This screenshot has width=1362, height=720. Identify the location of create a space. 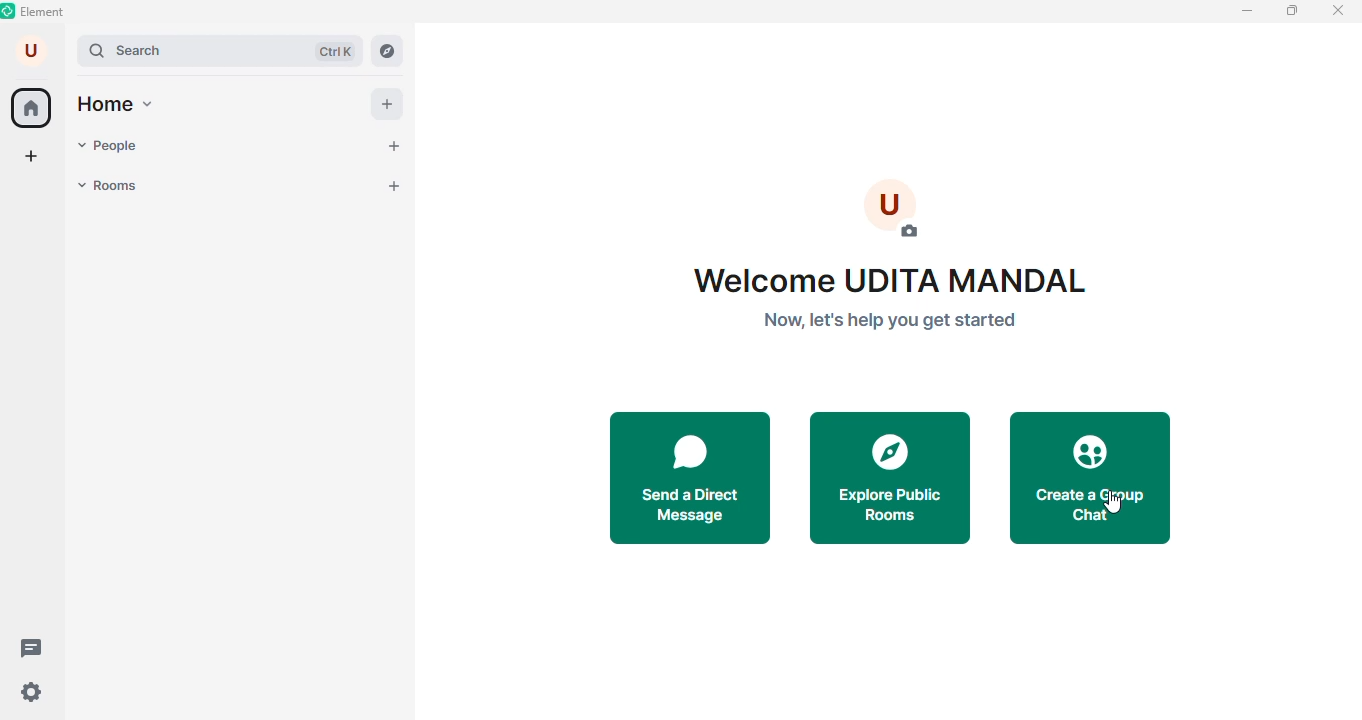
(35, 157).